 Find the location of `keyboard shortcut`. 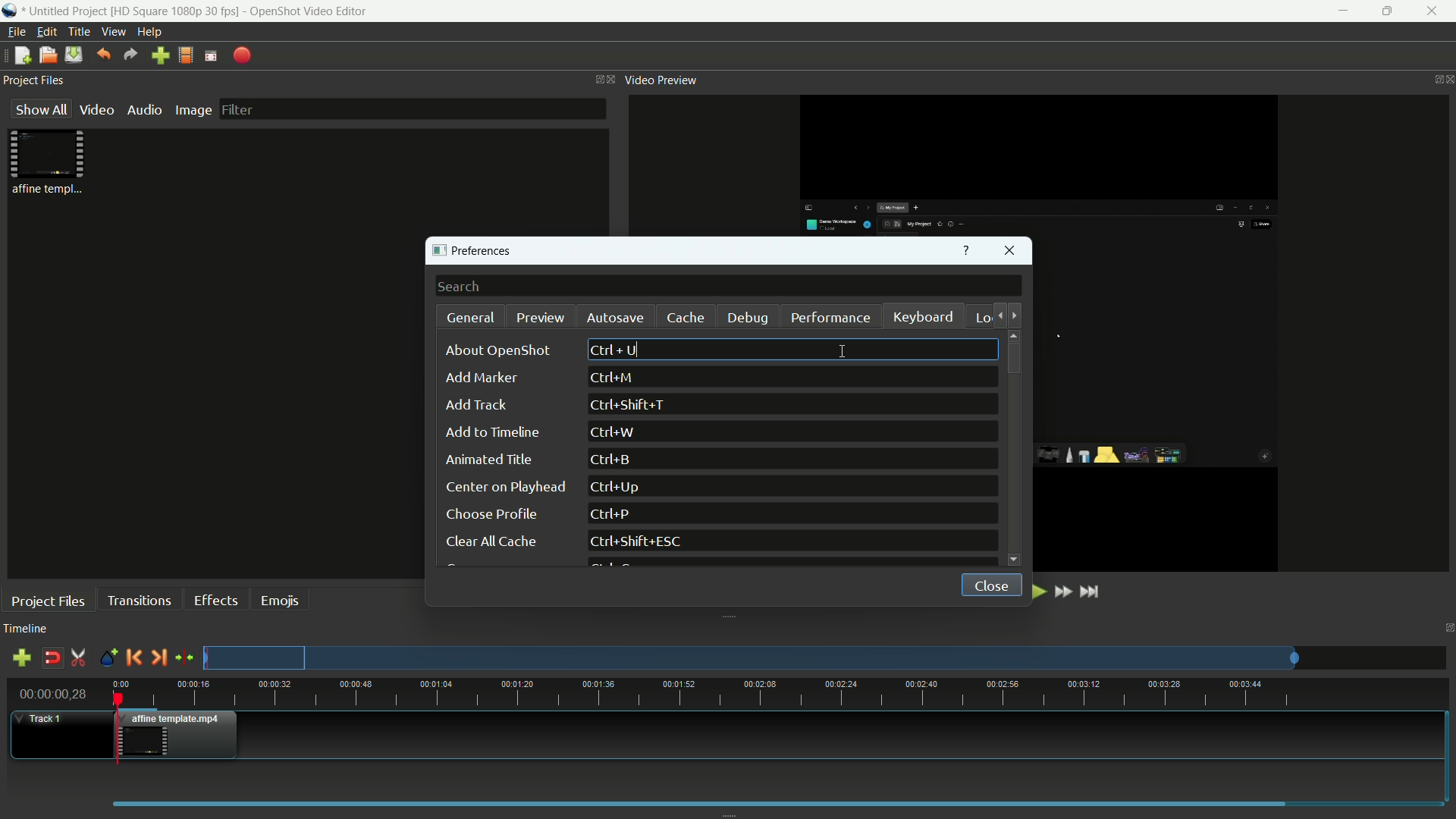

keyboard shortcut is located at coordinates (609, 515).